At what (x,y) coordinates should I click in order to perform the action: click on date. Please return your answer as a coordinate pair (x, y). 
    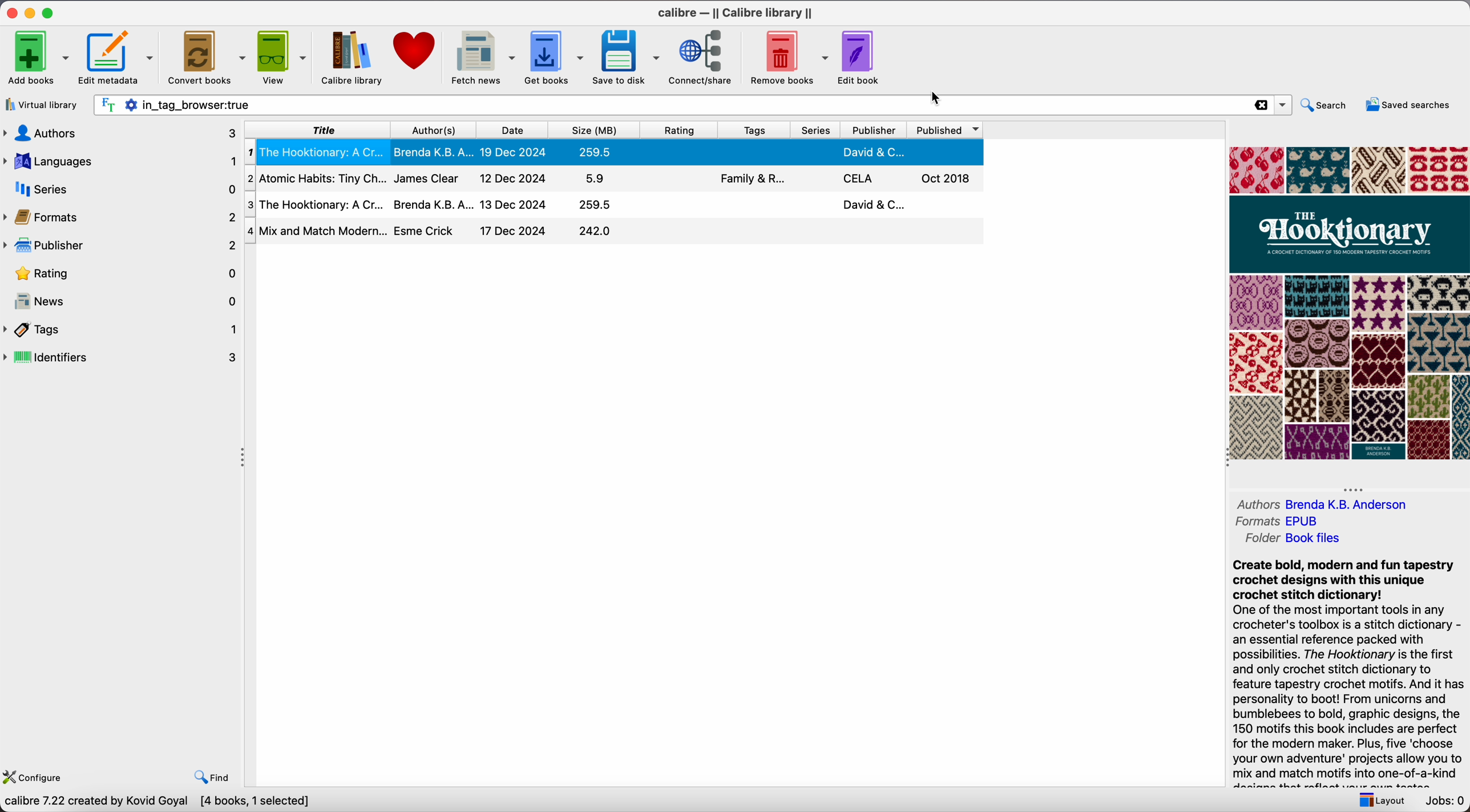
    Looking at the image, I should click on (514, 129).